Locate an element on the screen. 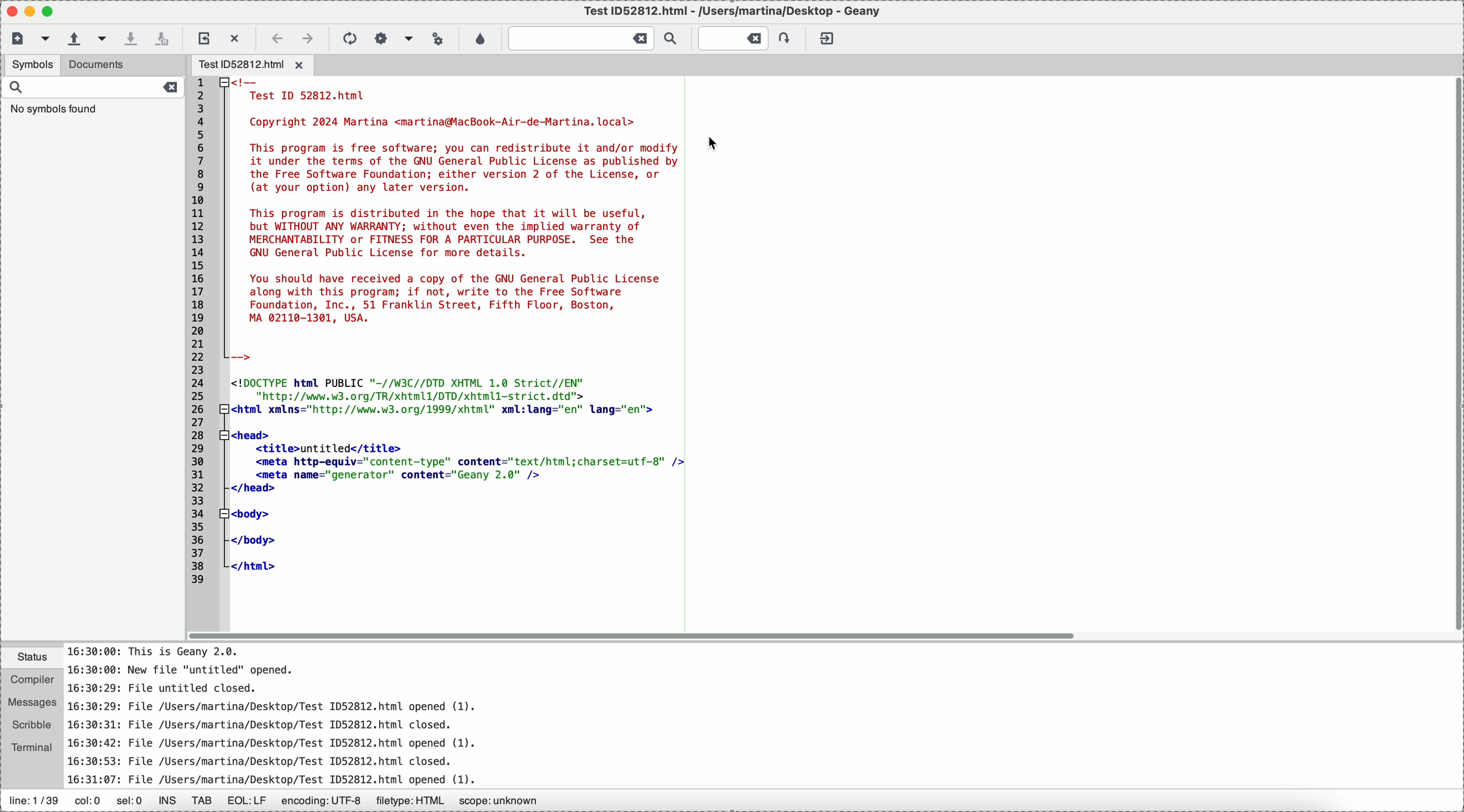  save the current file is located at coordinates (136, 37).